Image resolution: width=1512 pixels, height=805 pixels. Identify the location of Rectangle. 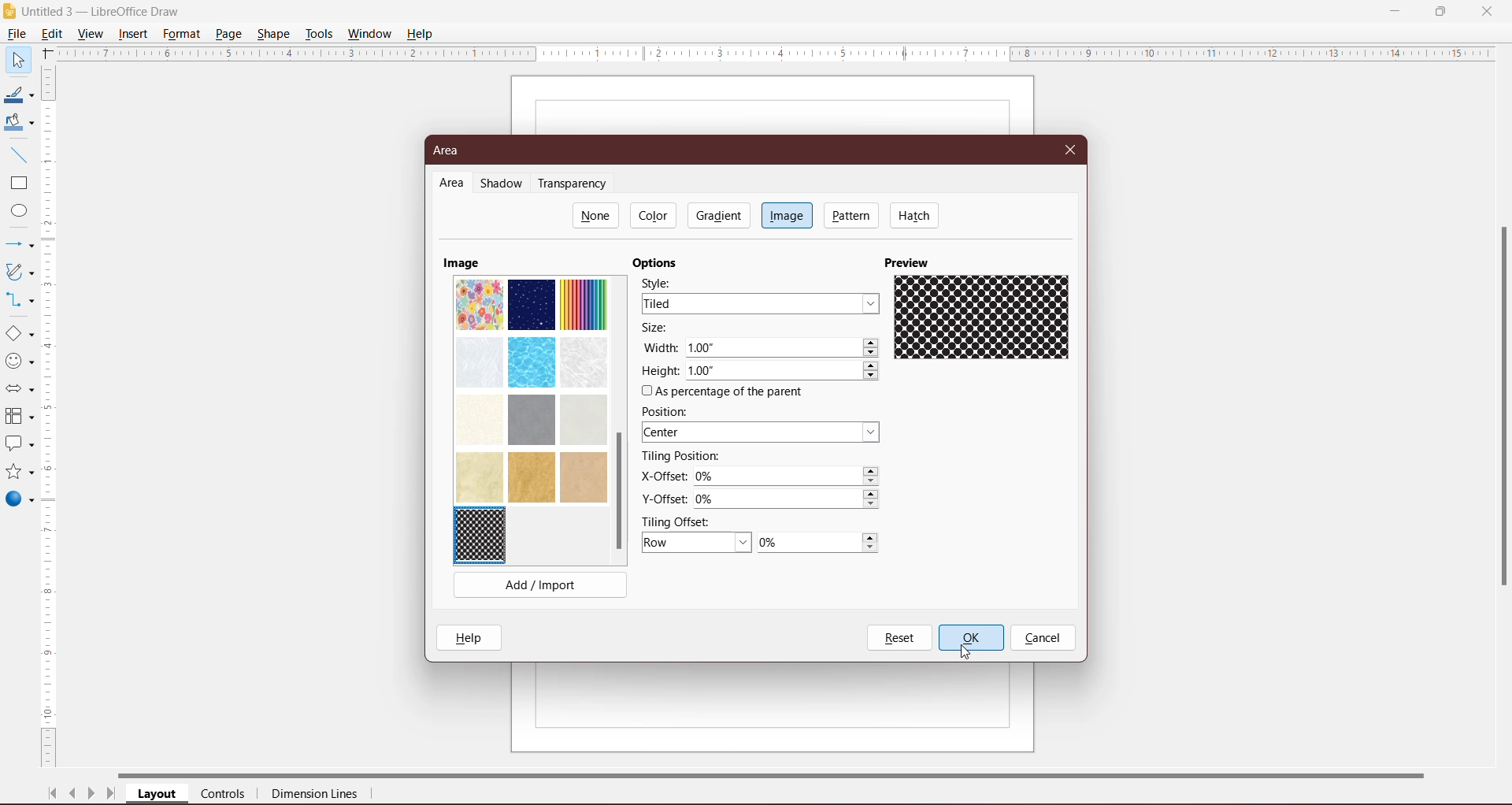
(17, 184).